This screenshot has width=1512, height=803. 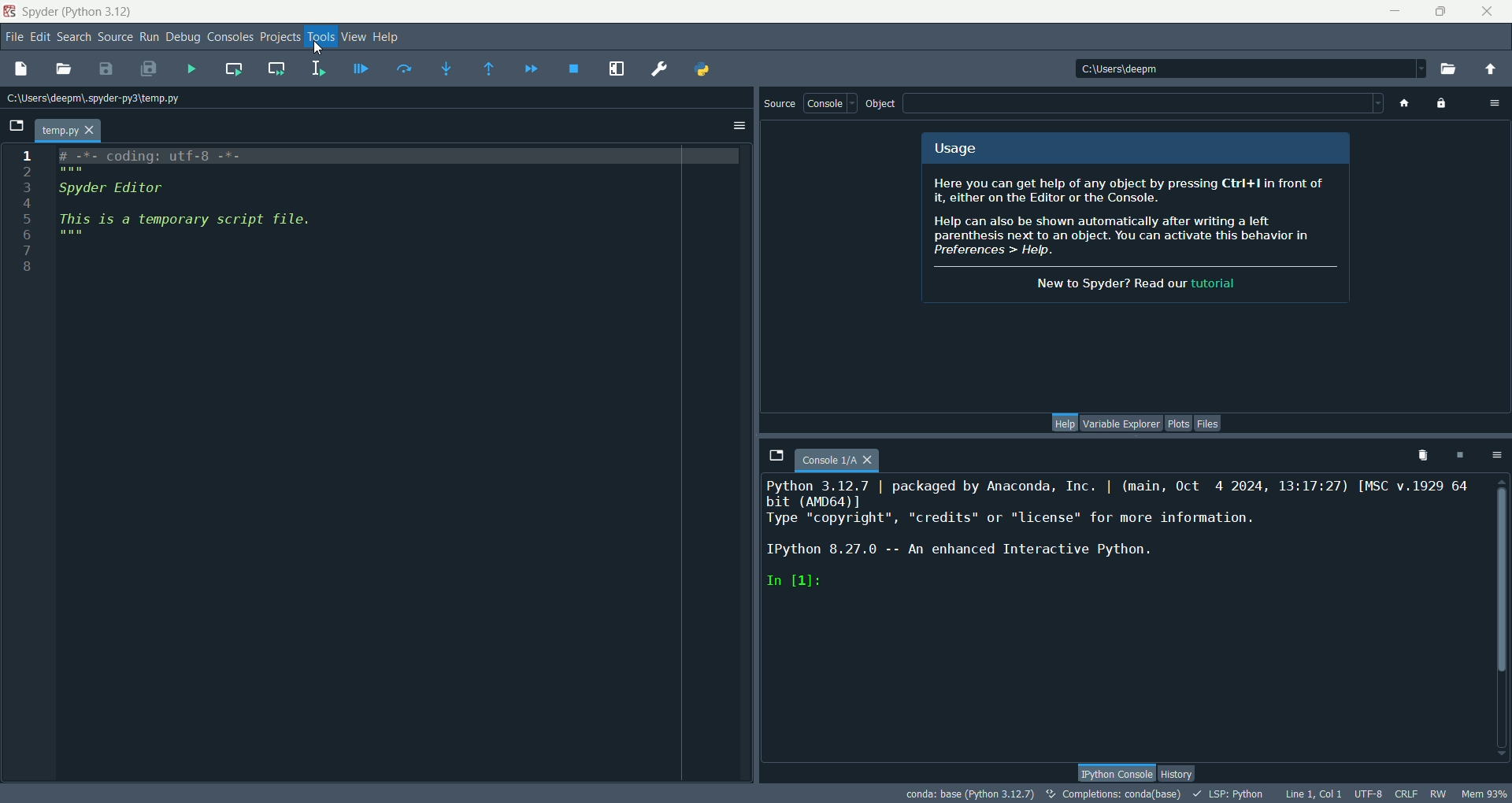 I want to click on location, so click(x=100, y=99).